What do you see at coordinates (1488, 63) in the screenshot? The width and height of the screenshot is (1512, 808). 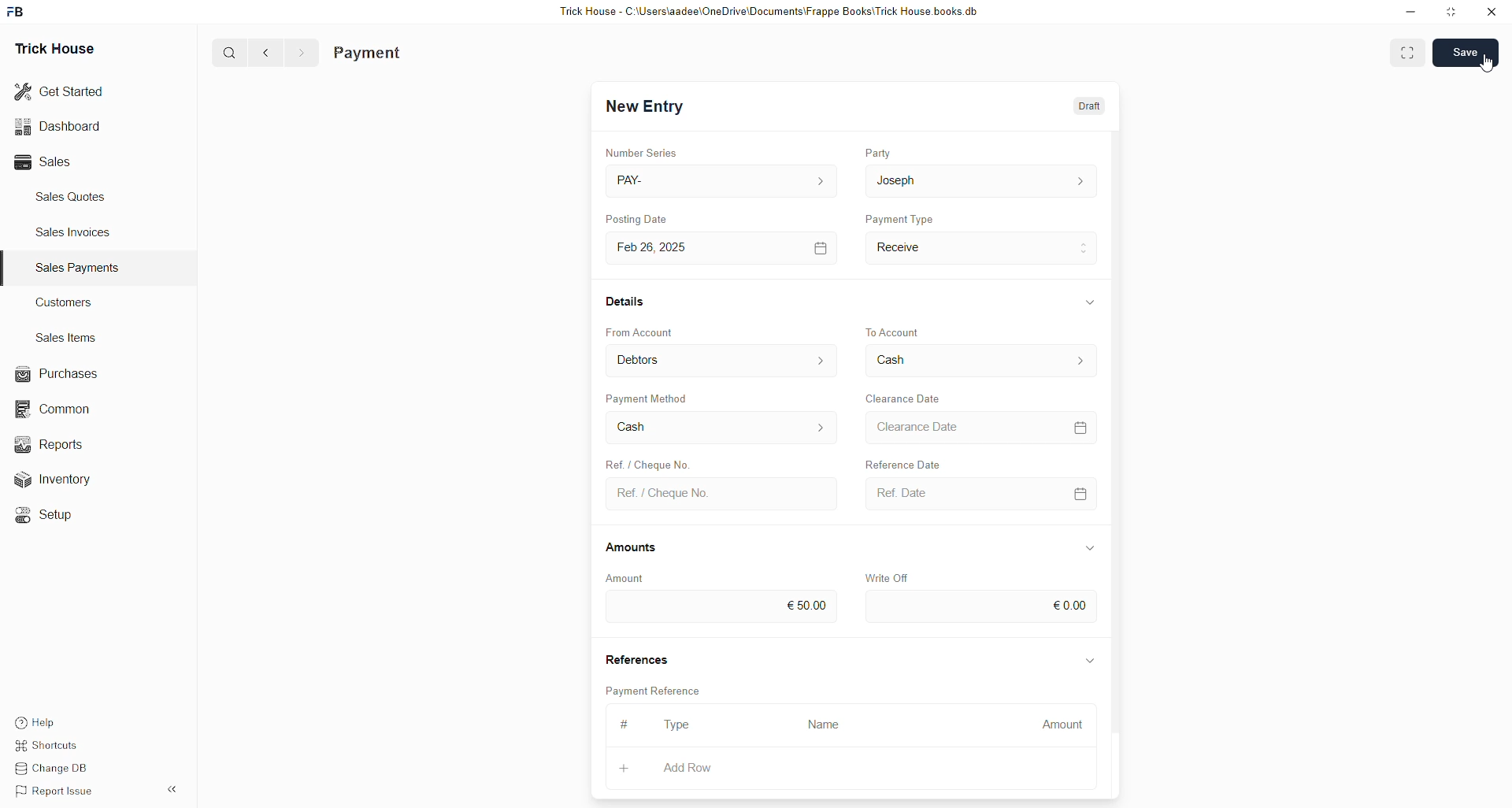 I see `cursor` at bounding box center [1488, 63].